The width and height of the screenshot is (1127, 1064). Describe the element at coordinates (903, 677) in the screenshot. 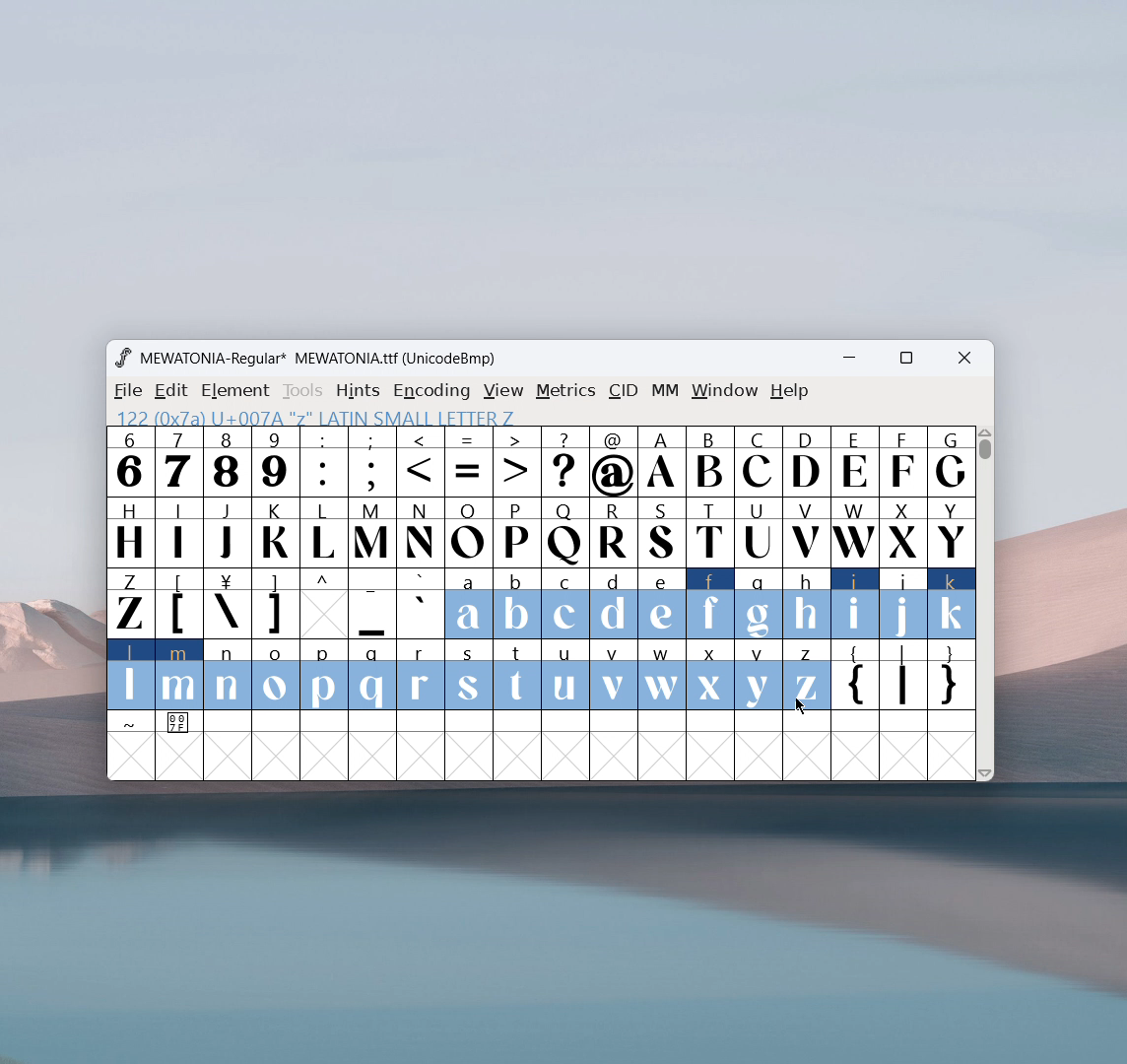

I see `|` at that location.